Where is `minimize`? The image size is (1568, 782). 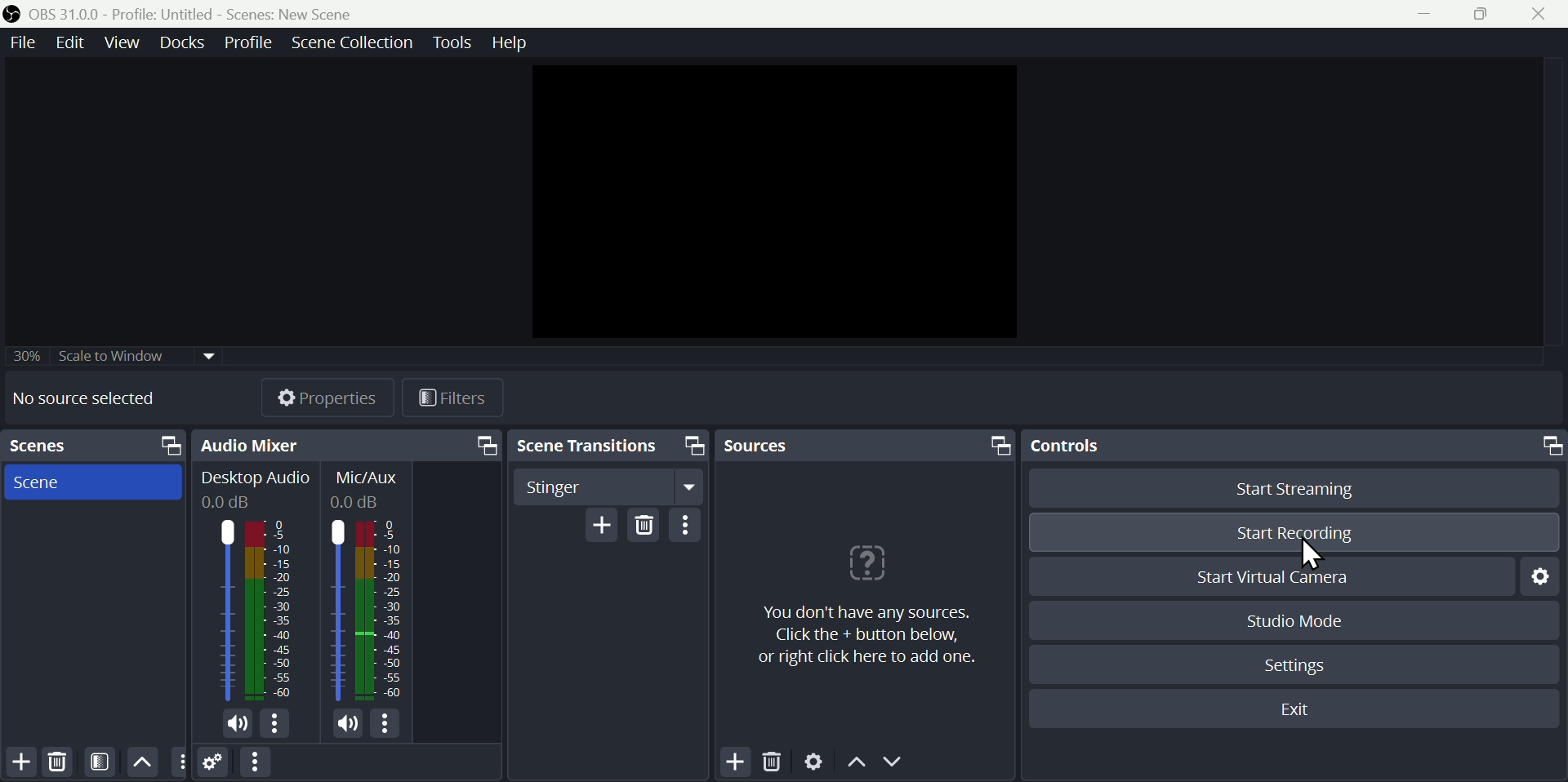
minimize is located at coordinates (1424, 15).